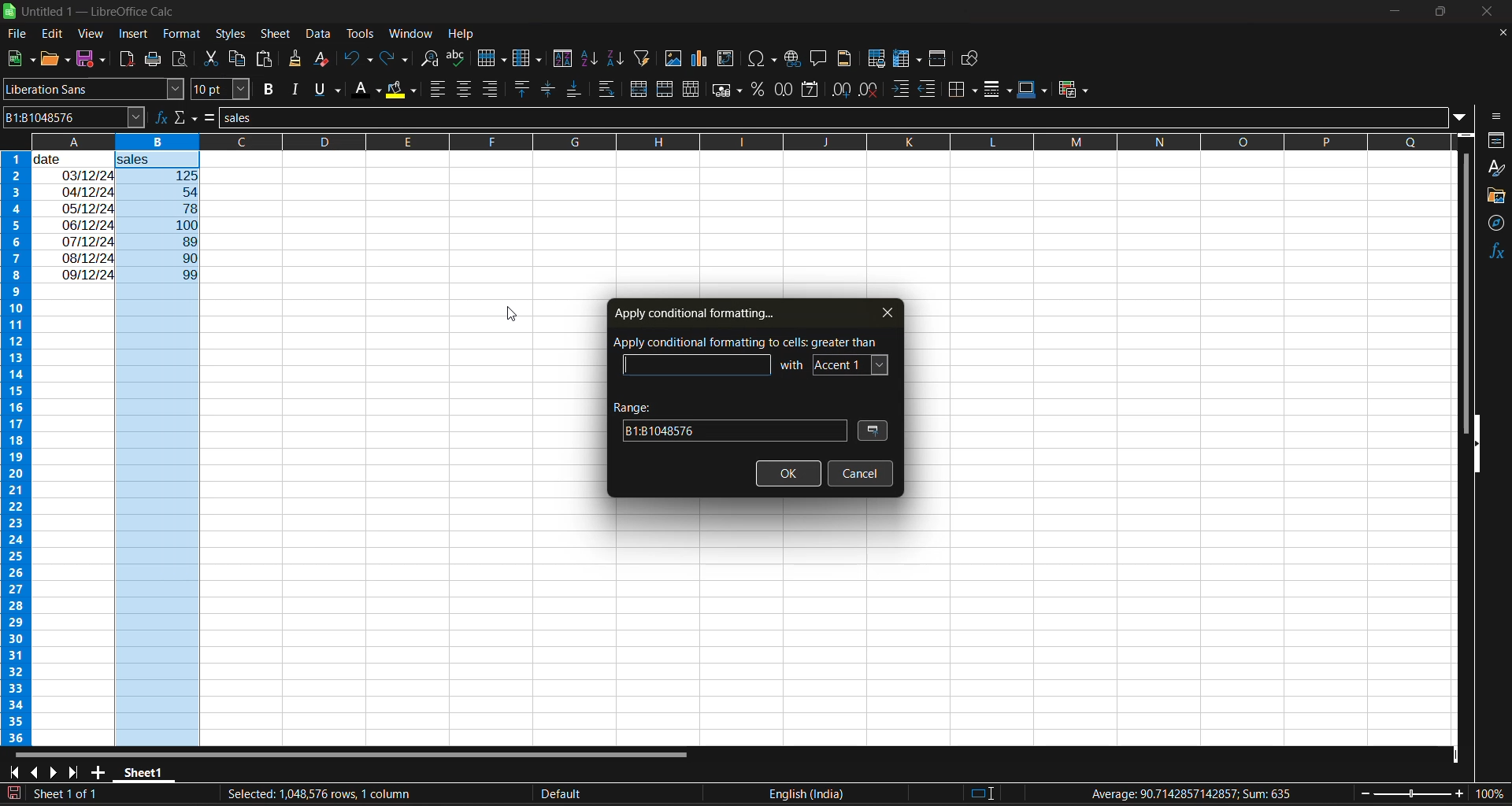 The height and width of the screenshot is (806, 1512). Describe the element at coordinates (69, 793) in the screenshot. I see `sheet number` at that location.